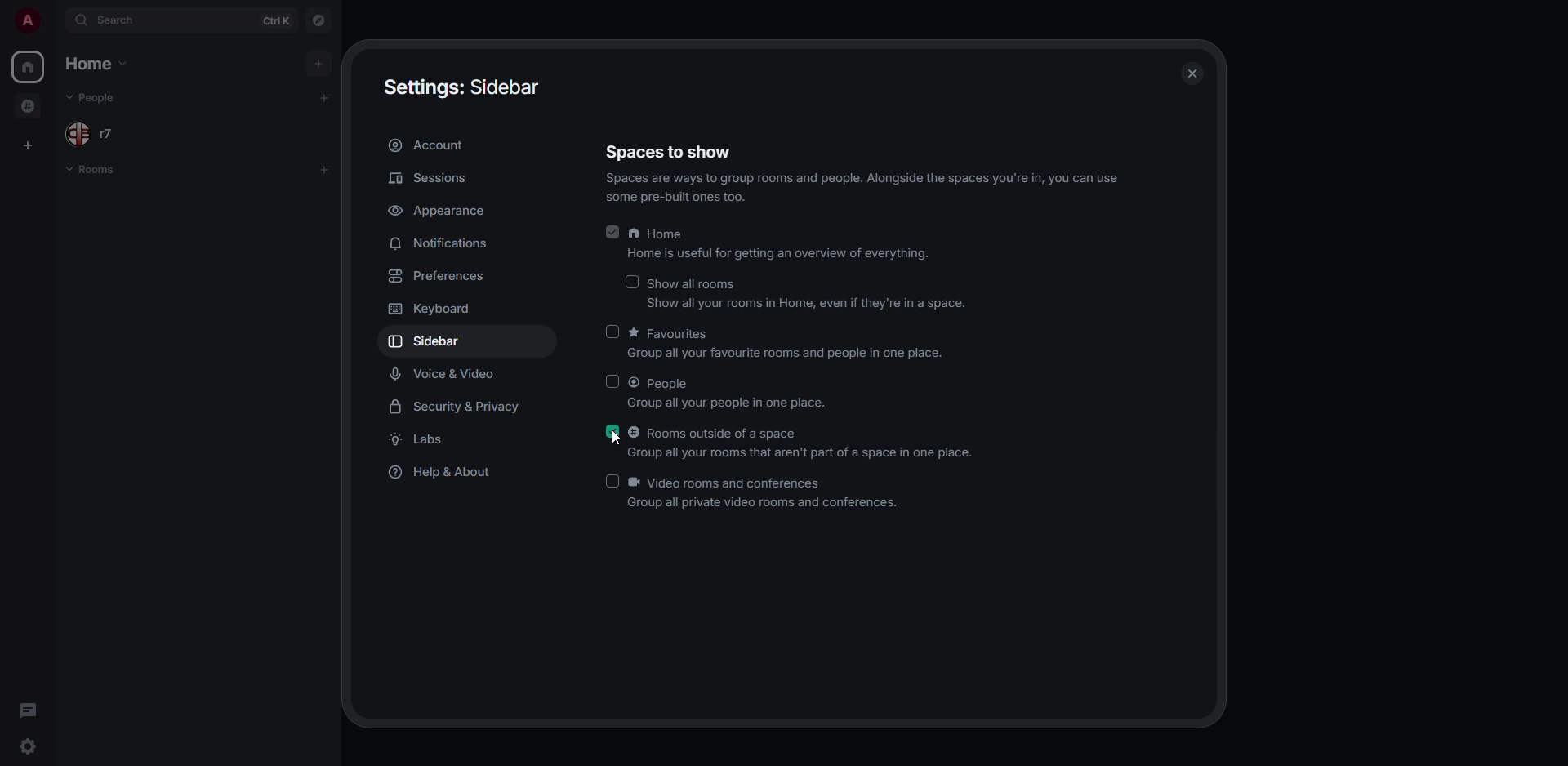 This screenshot has height=766, width=1568. What do you see at coordinates (610, 482) in the screenshot?
I see `click to enable` at bounding box center [610, 482].